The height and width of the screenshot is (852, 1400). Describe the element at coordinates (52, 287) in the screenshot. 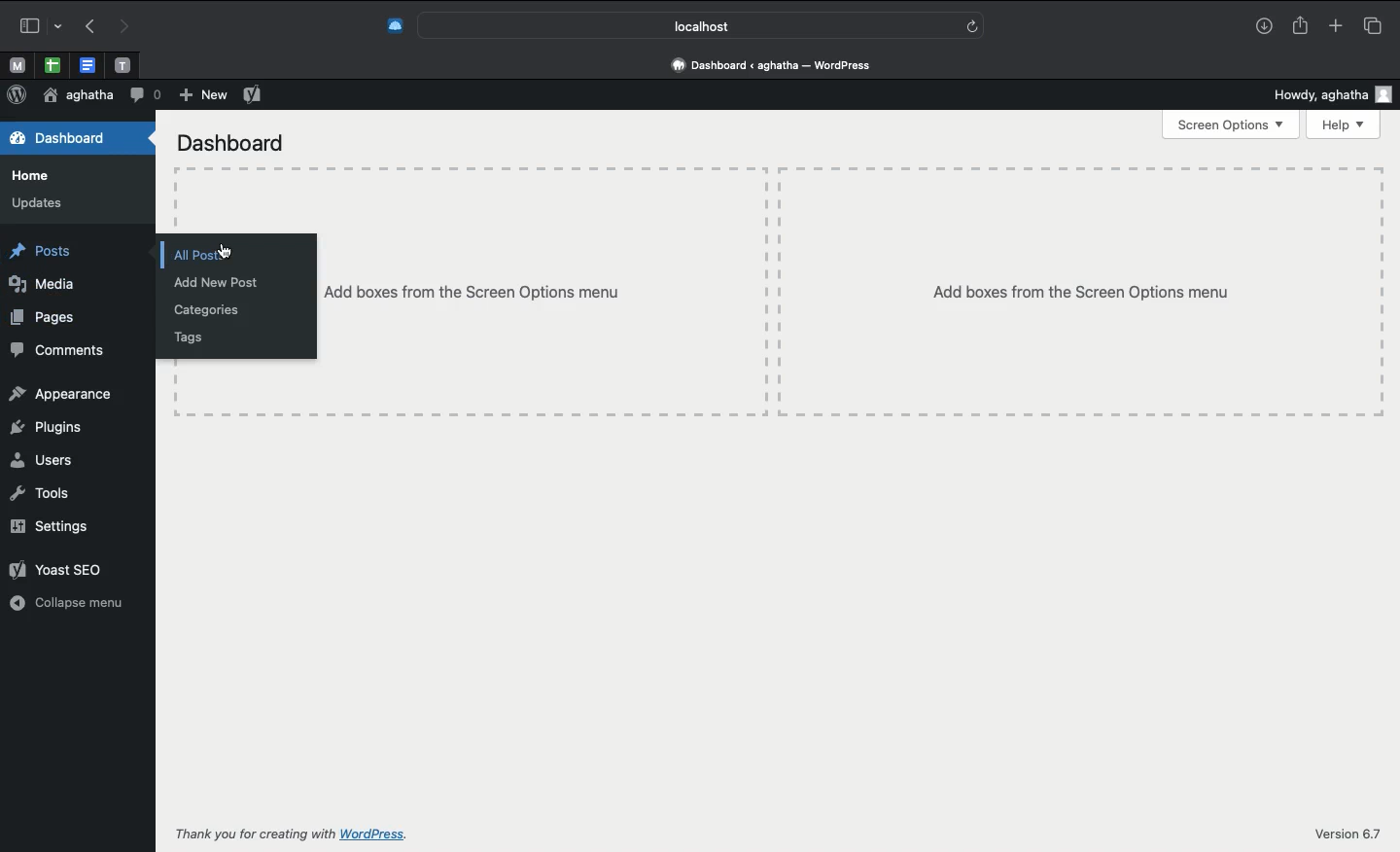

I see `Media` at that location.